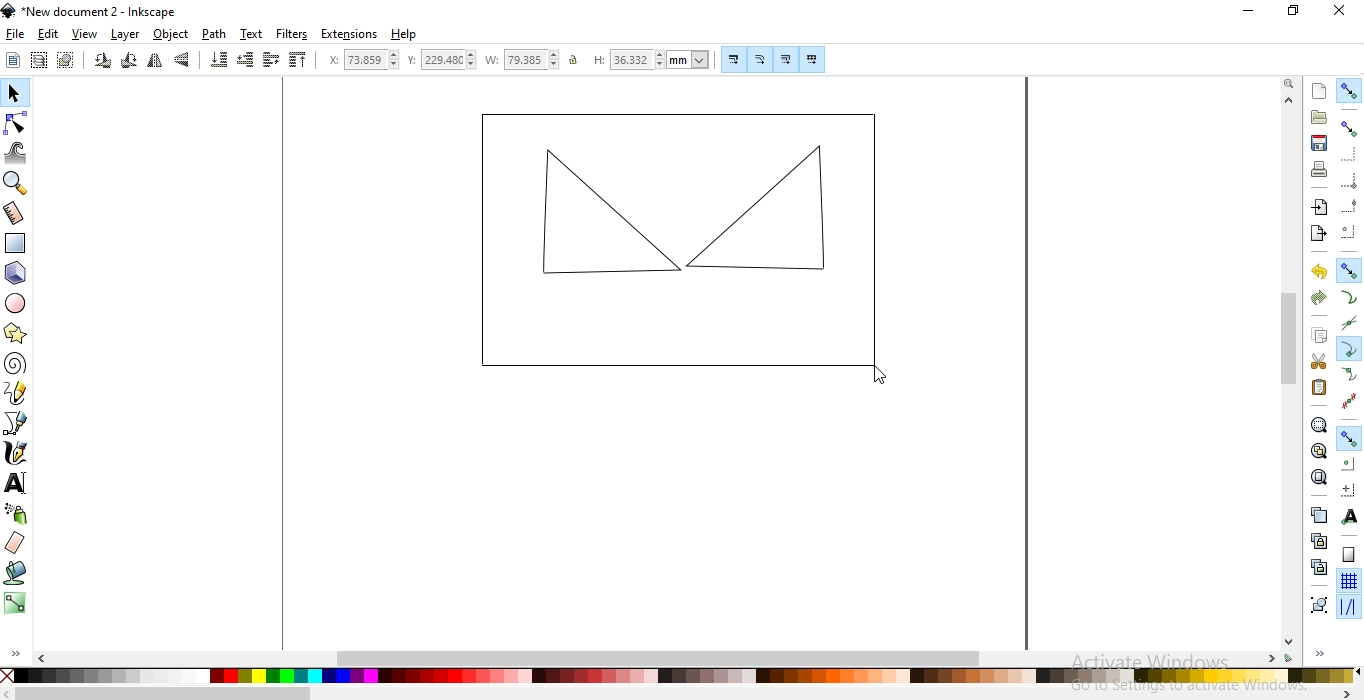  I want to click on create stars and polygons, so click(16, 333).